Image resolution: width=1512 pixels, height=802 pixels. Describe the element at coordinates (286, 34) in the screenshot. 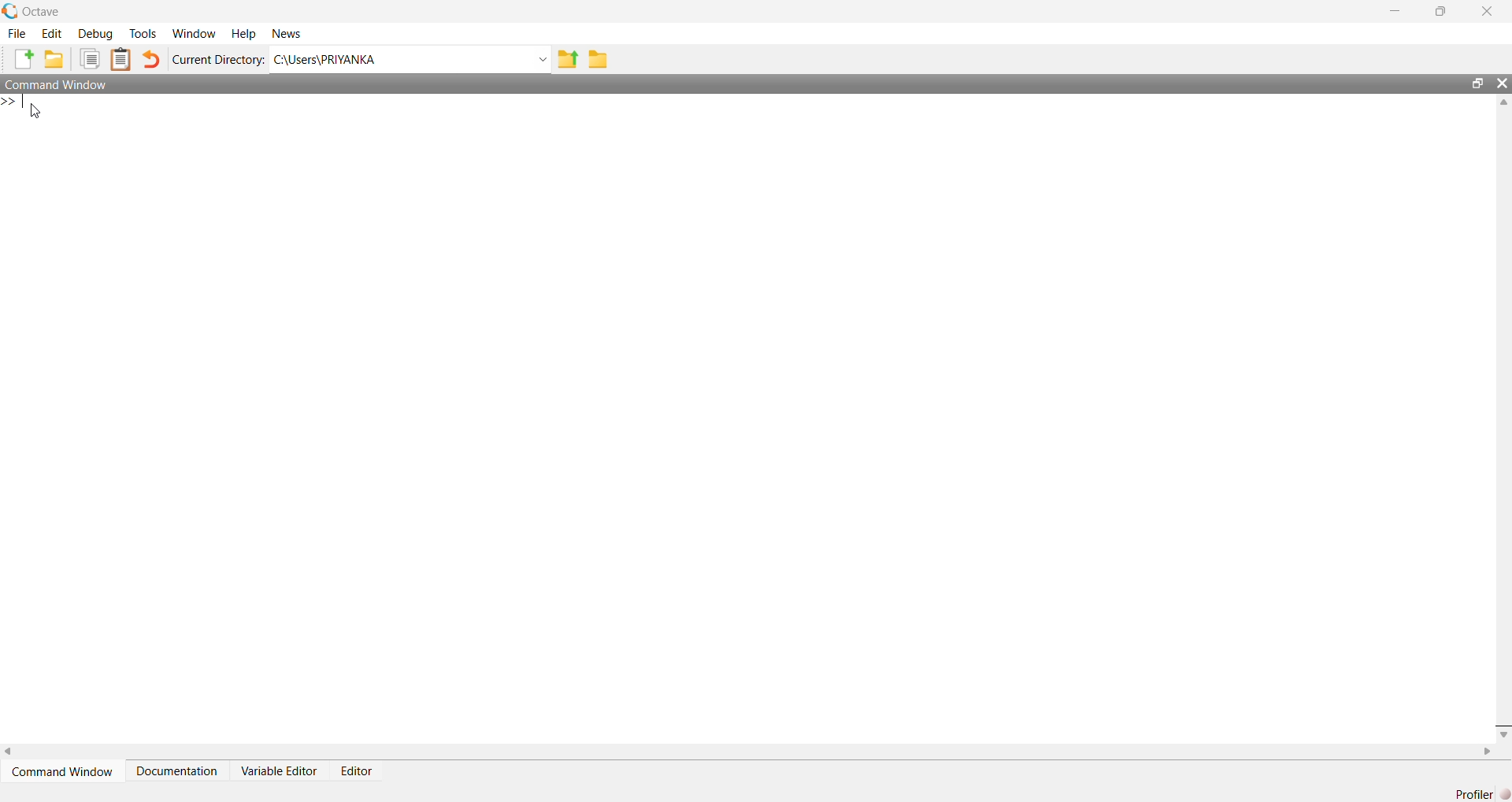

I see `news` at that location.